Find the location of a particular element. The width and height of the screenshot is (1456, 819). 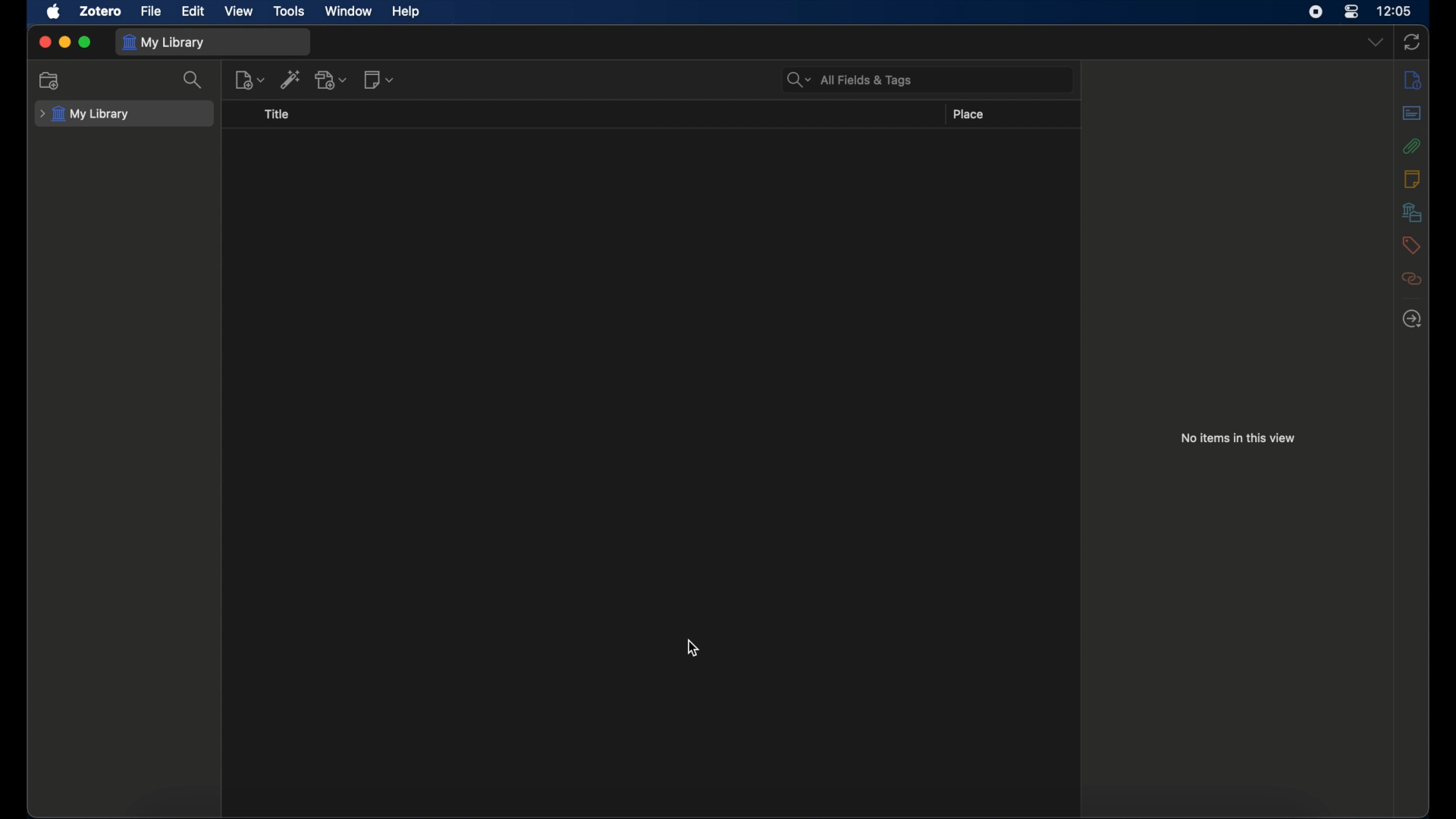

search bar is located at coordinates (850, 80).